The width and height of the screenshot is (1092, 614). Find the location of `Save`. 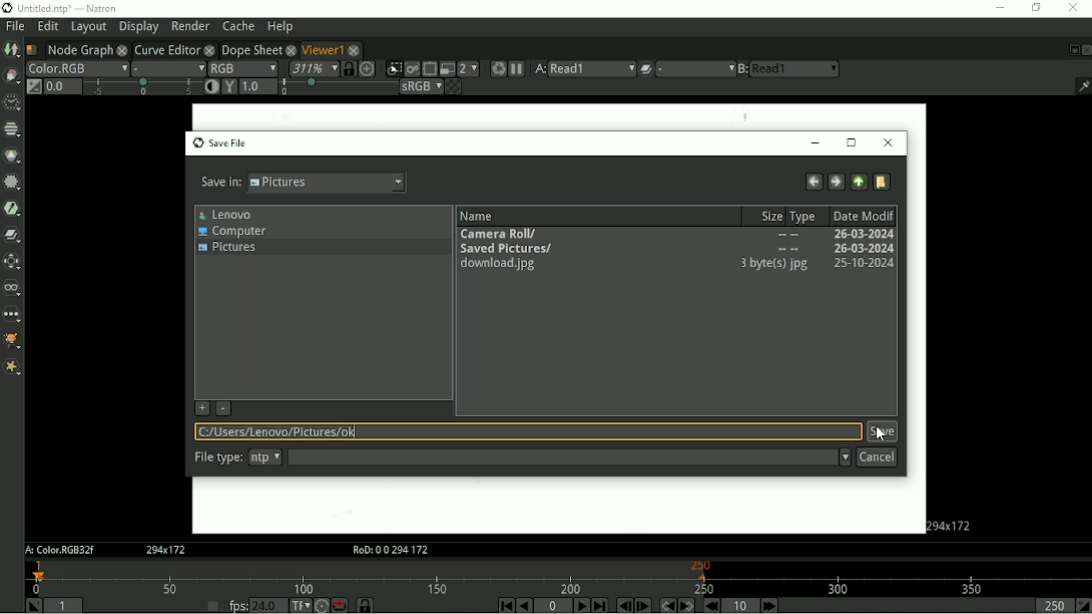

Save is located at coordinates (882, 431).